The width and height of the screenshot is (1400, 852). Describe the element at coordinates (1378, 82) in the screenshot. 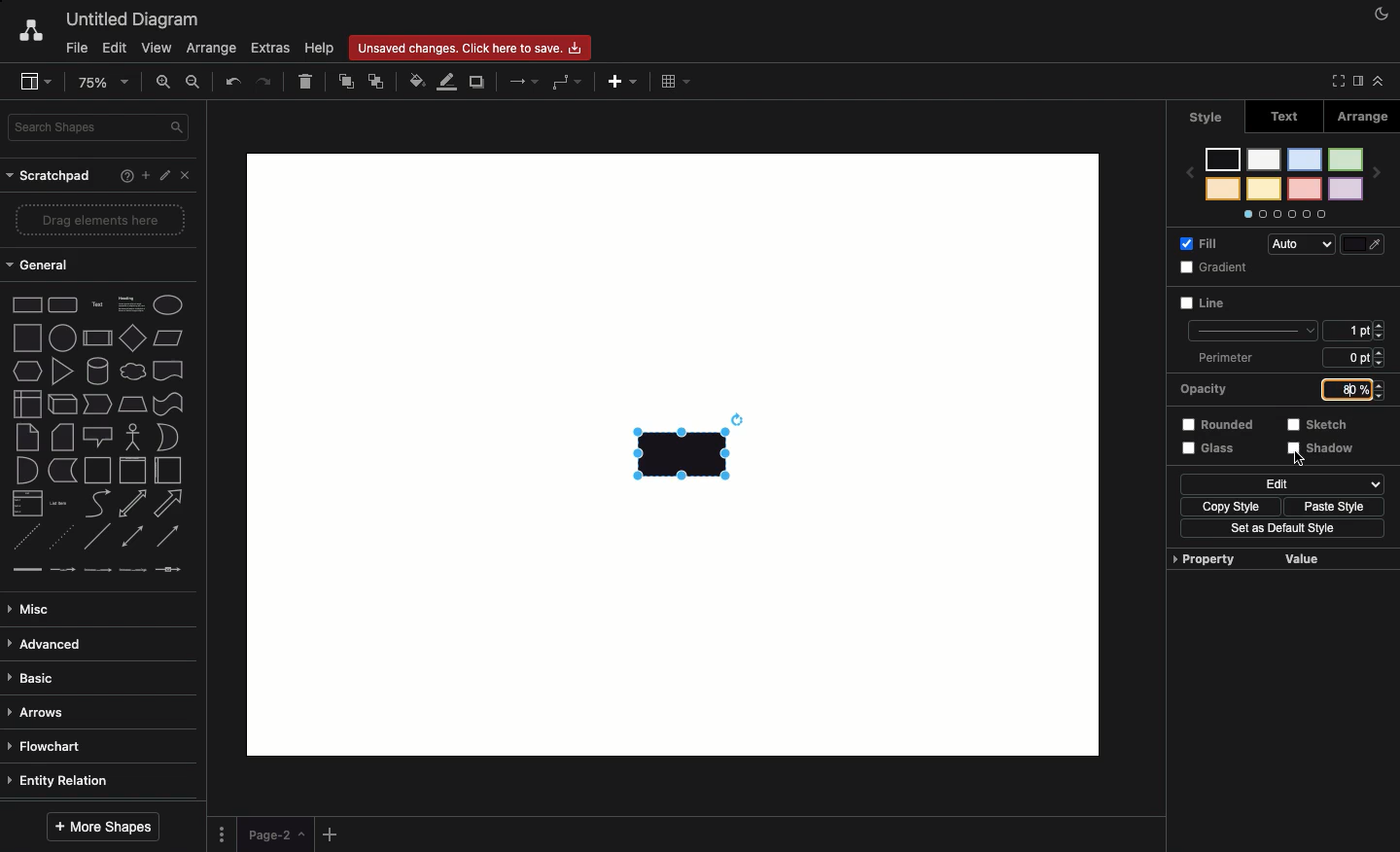

I see `Collapse` at that location.